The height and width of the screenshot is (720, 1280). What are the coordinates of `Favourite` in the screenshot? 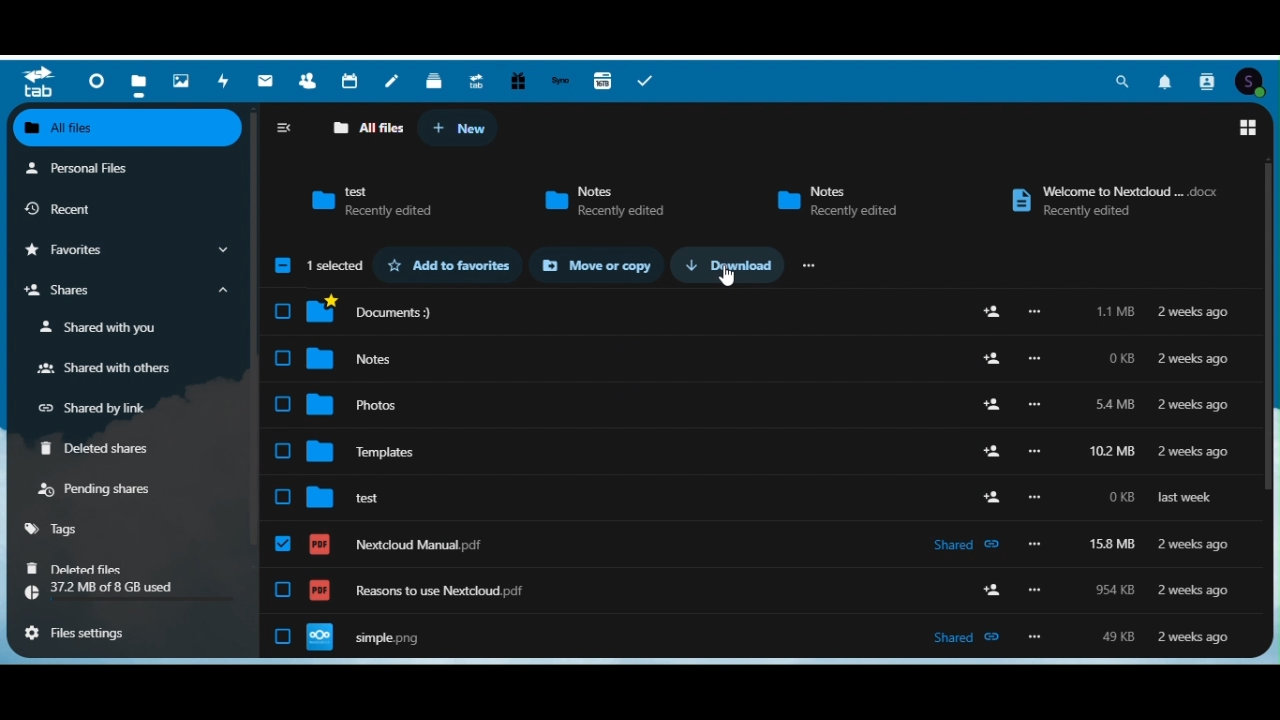 It's located at (126, 251).